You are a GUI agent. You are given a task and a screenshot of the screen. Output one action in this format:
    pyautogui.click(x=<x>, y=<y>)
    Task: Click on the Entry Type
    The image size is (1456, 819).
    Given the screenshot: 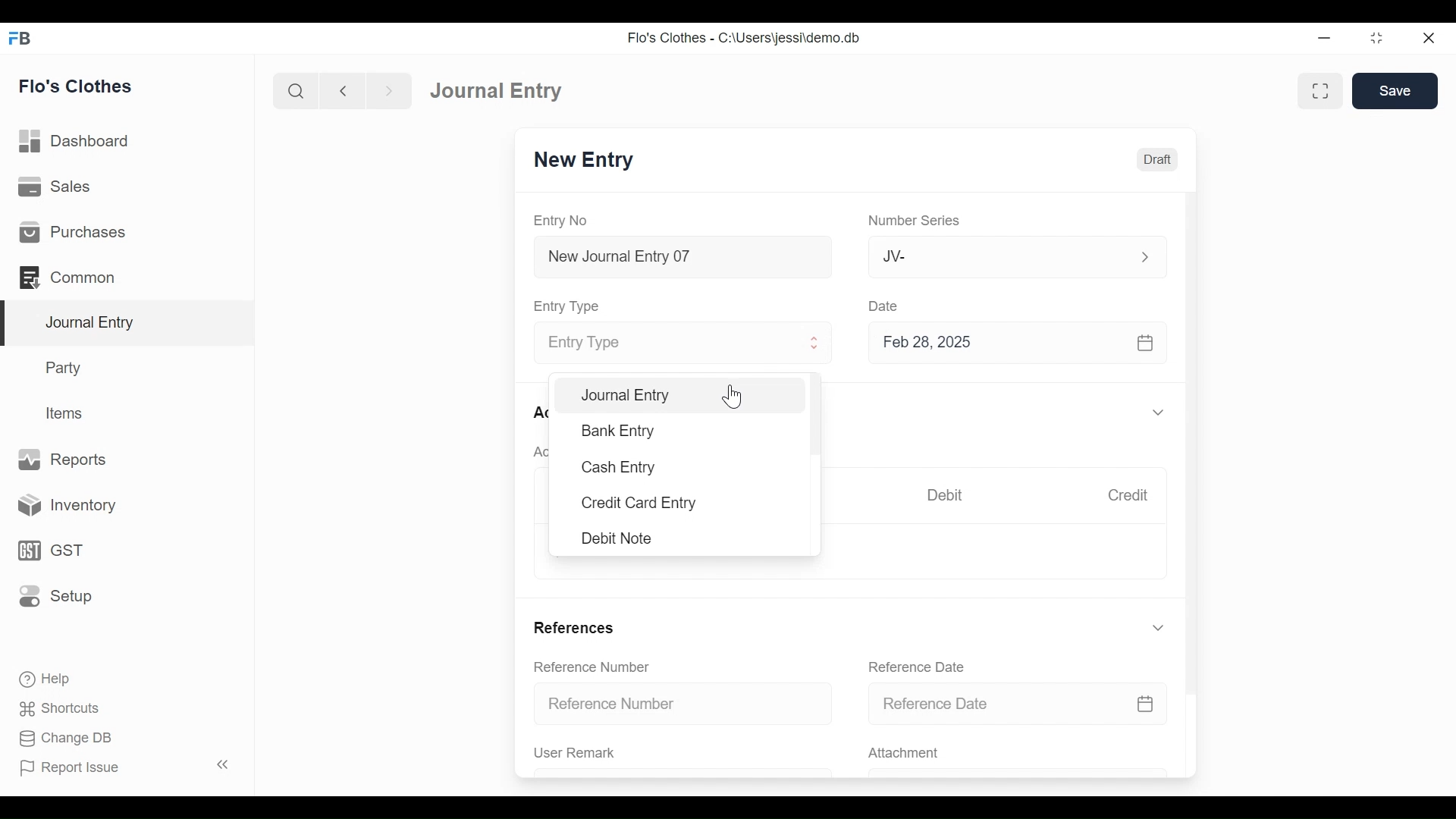 What is the action you would take?
    pyautogui.click(x=570, y=306)
    